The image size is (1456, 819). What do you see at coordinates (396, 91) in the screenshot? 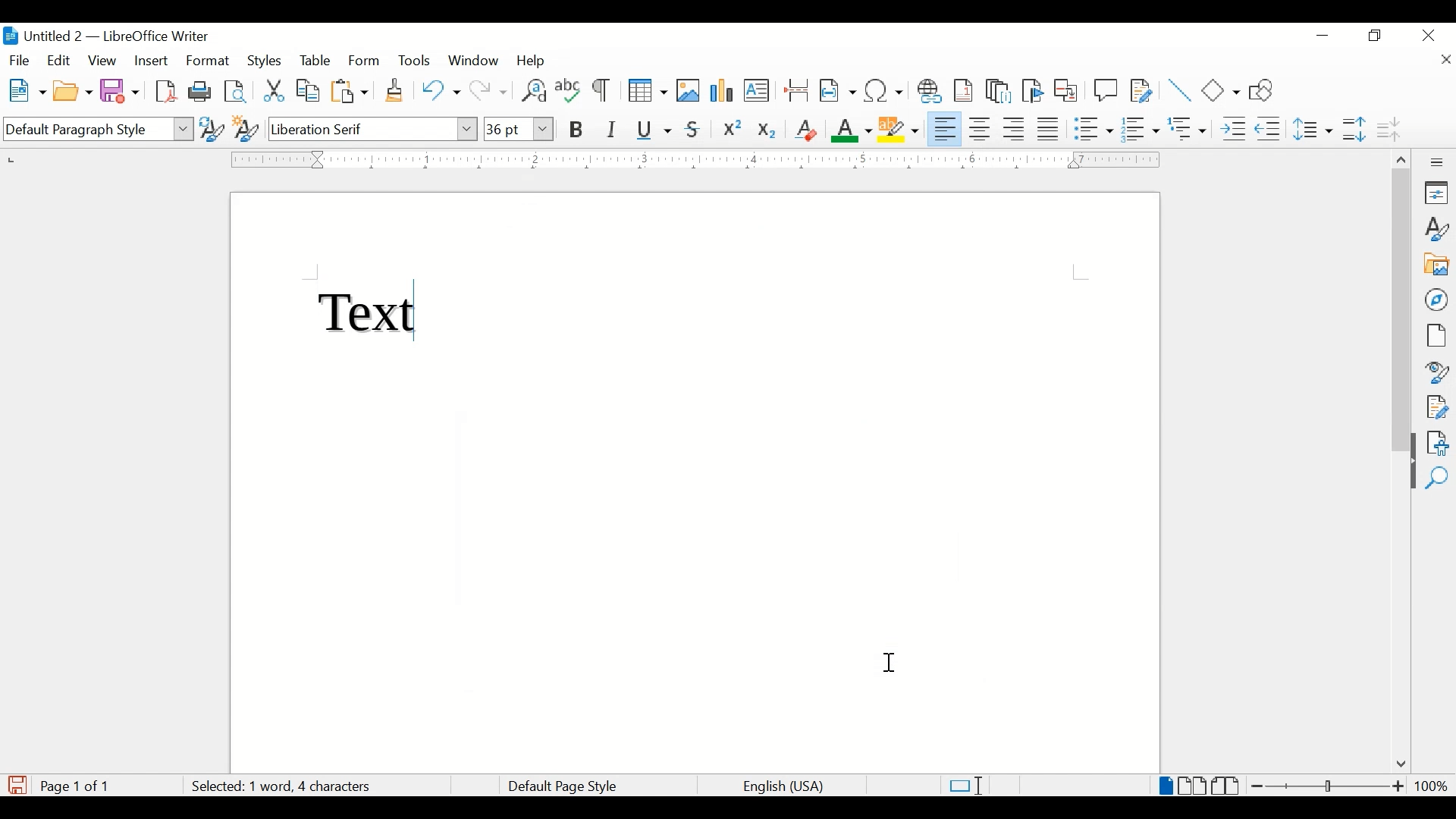
I see `clone formatting` at bounding box center [396, 91].